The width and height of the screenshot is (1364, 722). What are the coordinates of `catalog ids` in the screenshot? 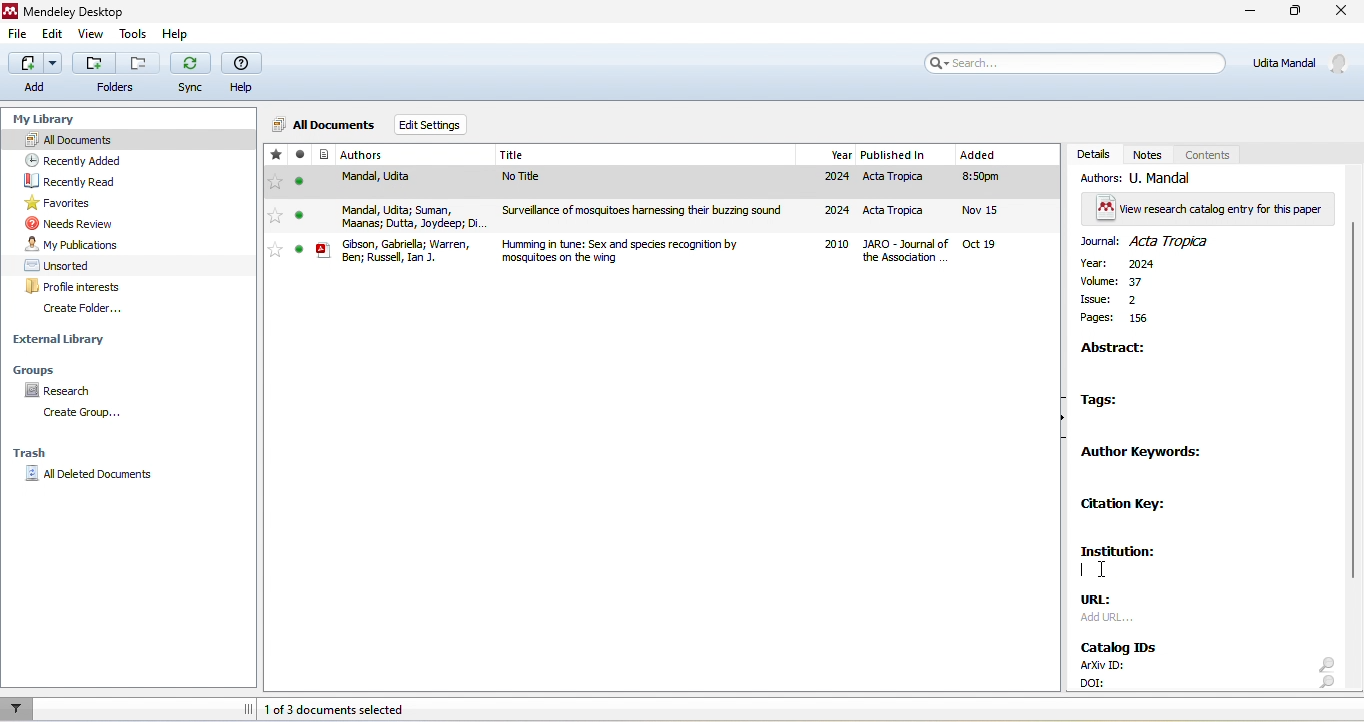 It's located at (1122, 644).